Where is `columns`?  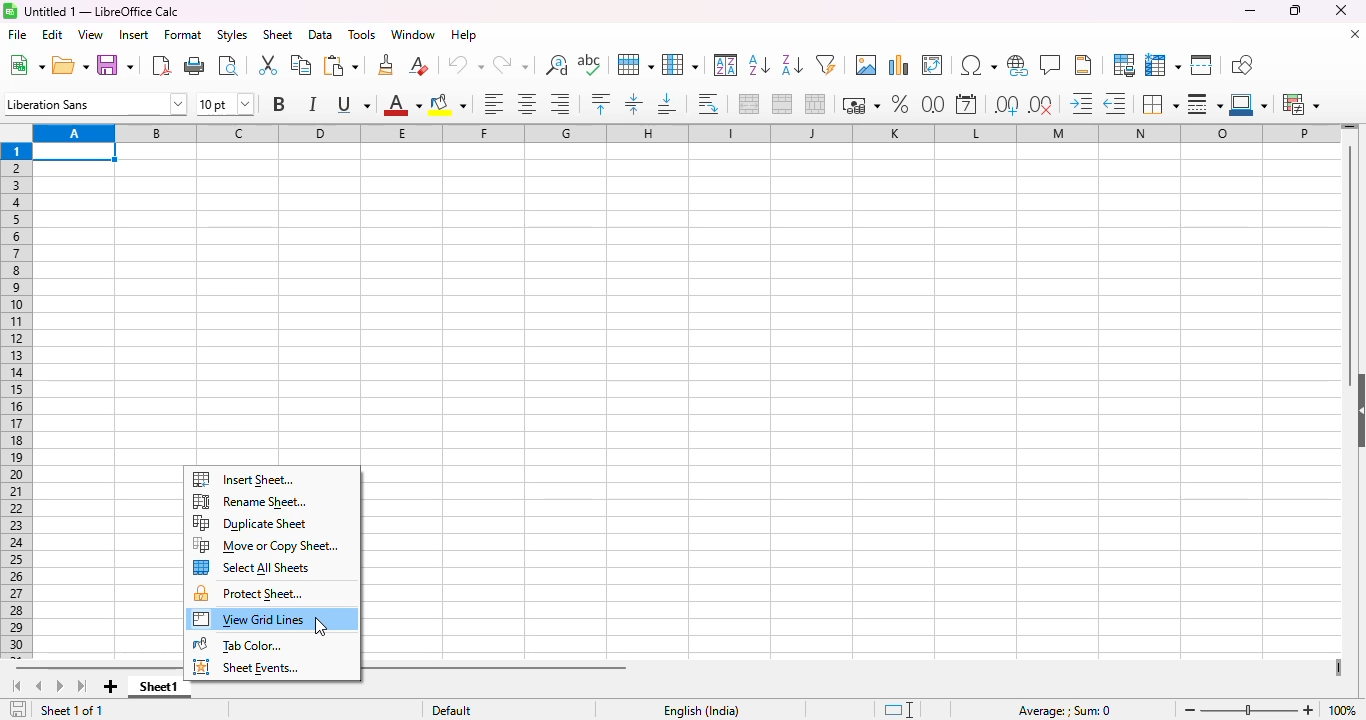
columns is located at coordinates (682, 133).